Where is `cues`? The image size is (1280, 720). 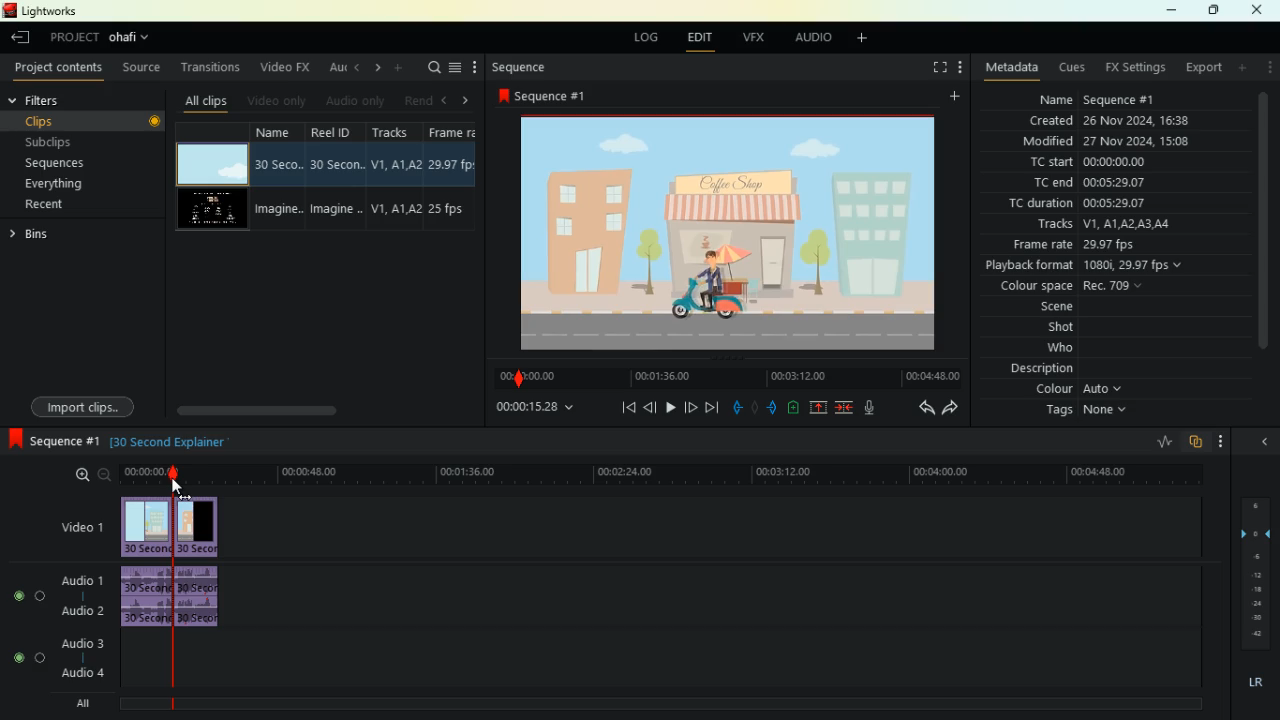
cues is located at coordinates (1074, 67).